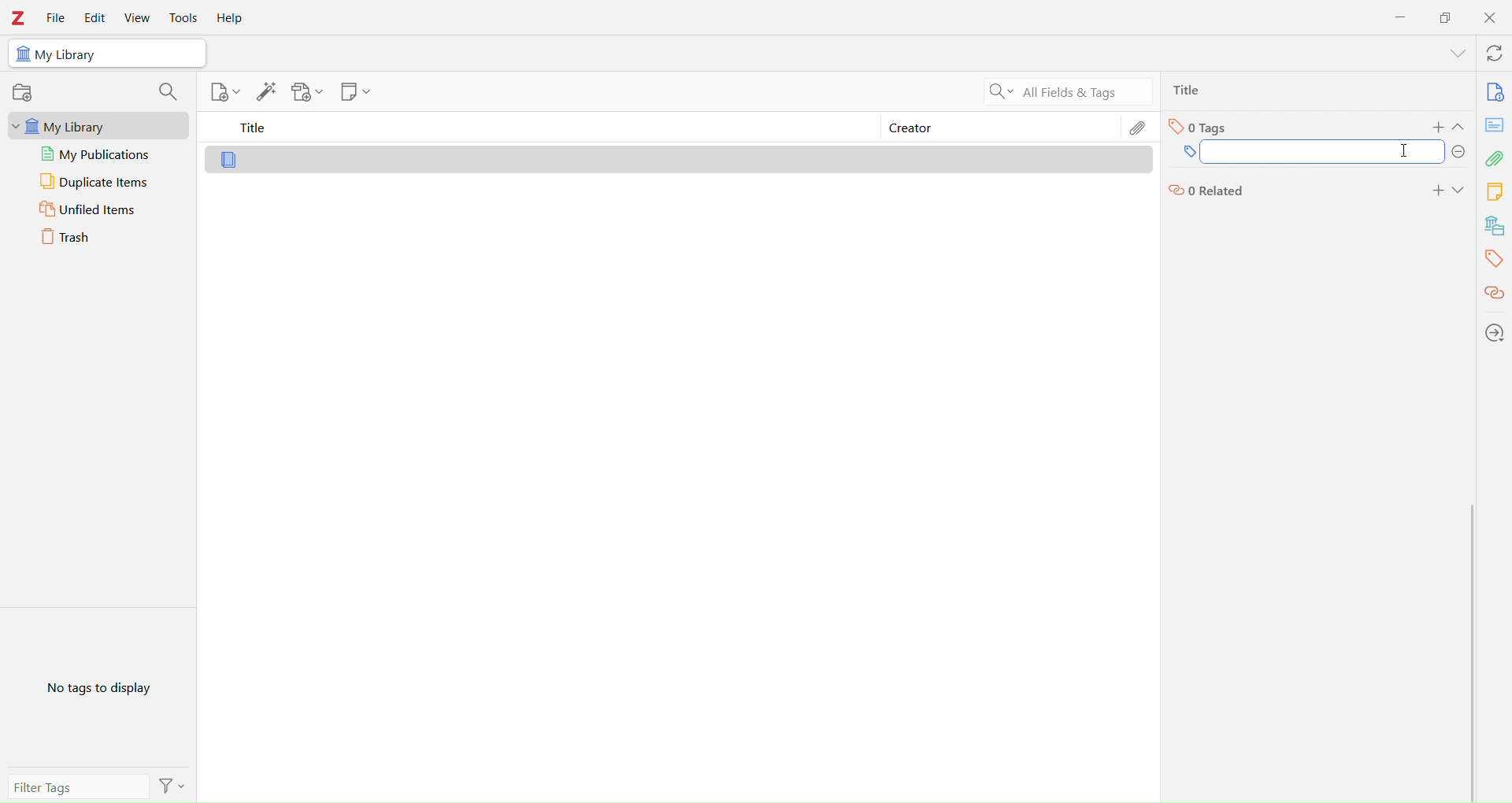  What do you see at coordinates (230, 19) in the screenshot?
I see `Help` at bounding box center [230, 19].